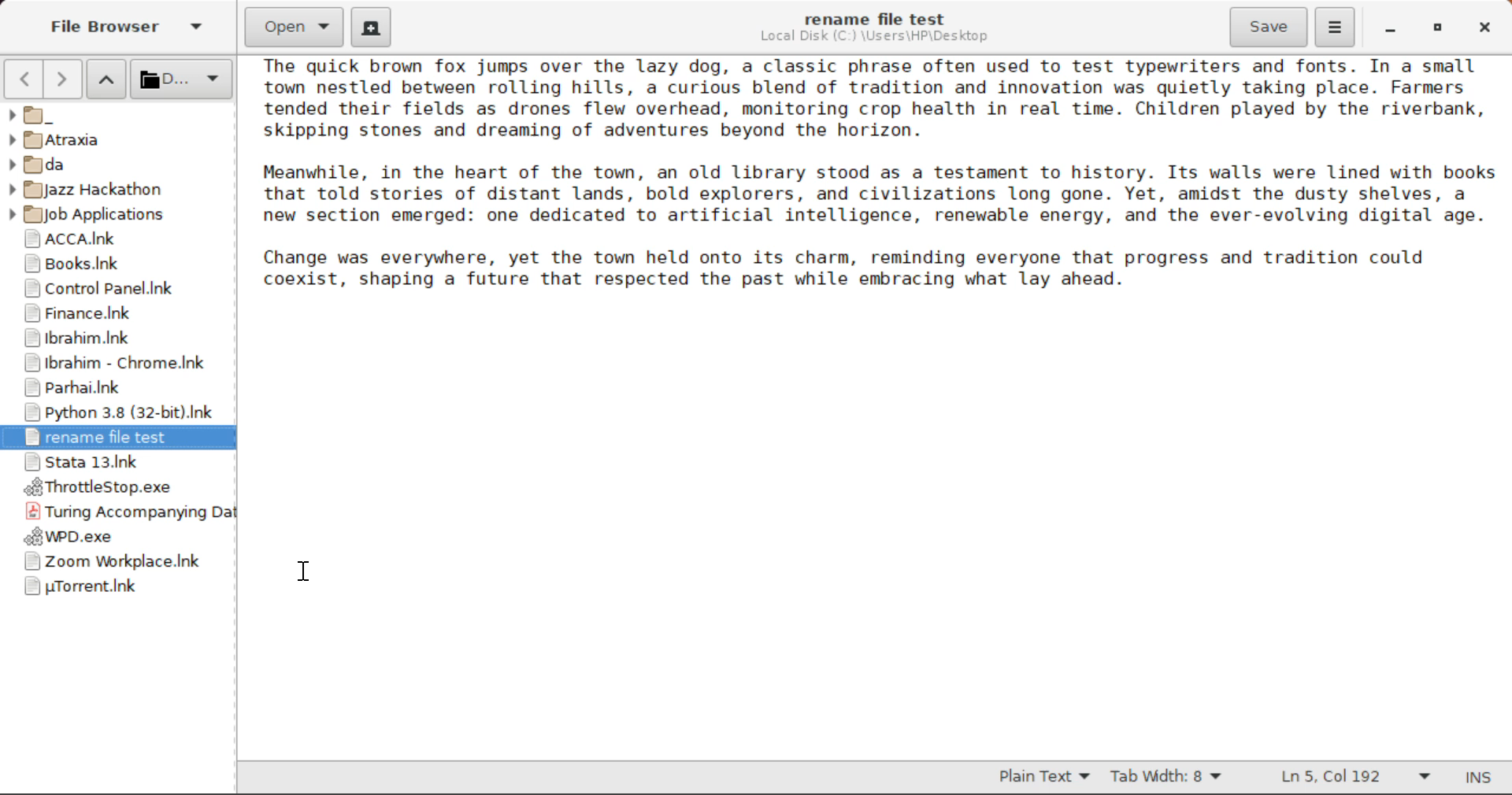 This screenshot has width=1512, height=795. What do you see at coordinates (1484, 778) in the screenshot?
I see `Input Mode` at bounding box center [1484, 778].